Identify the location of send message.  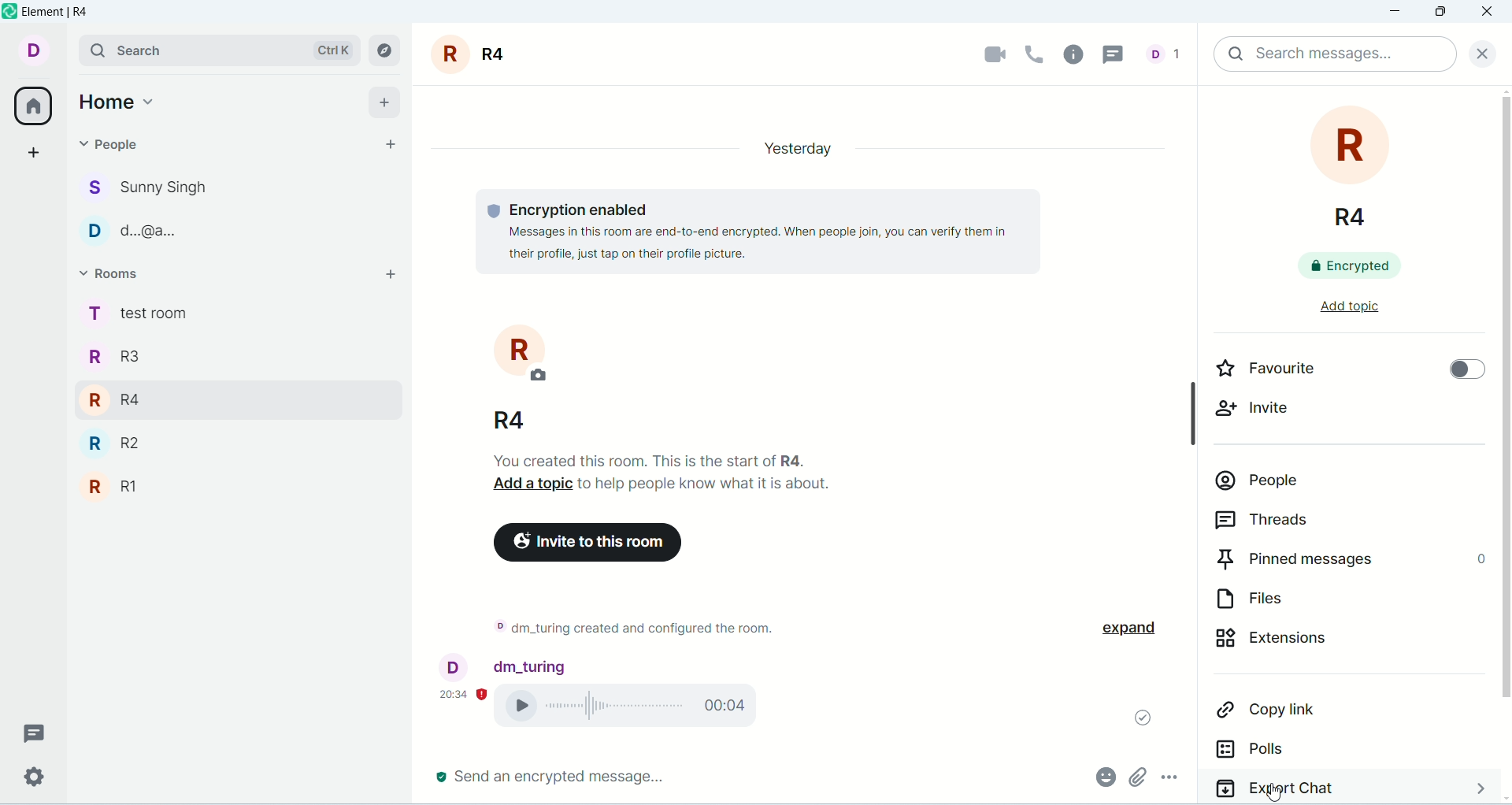
(552, 777).